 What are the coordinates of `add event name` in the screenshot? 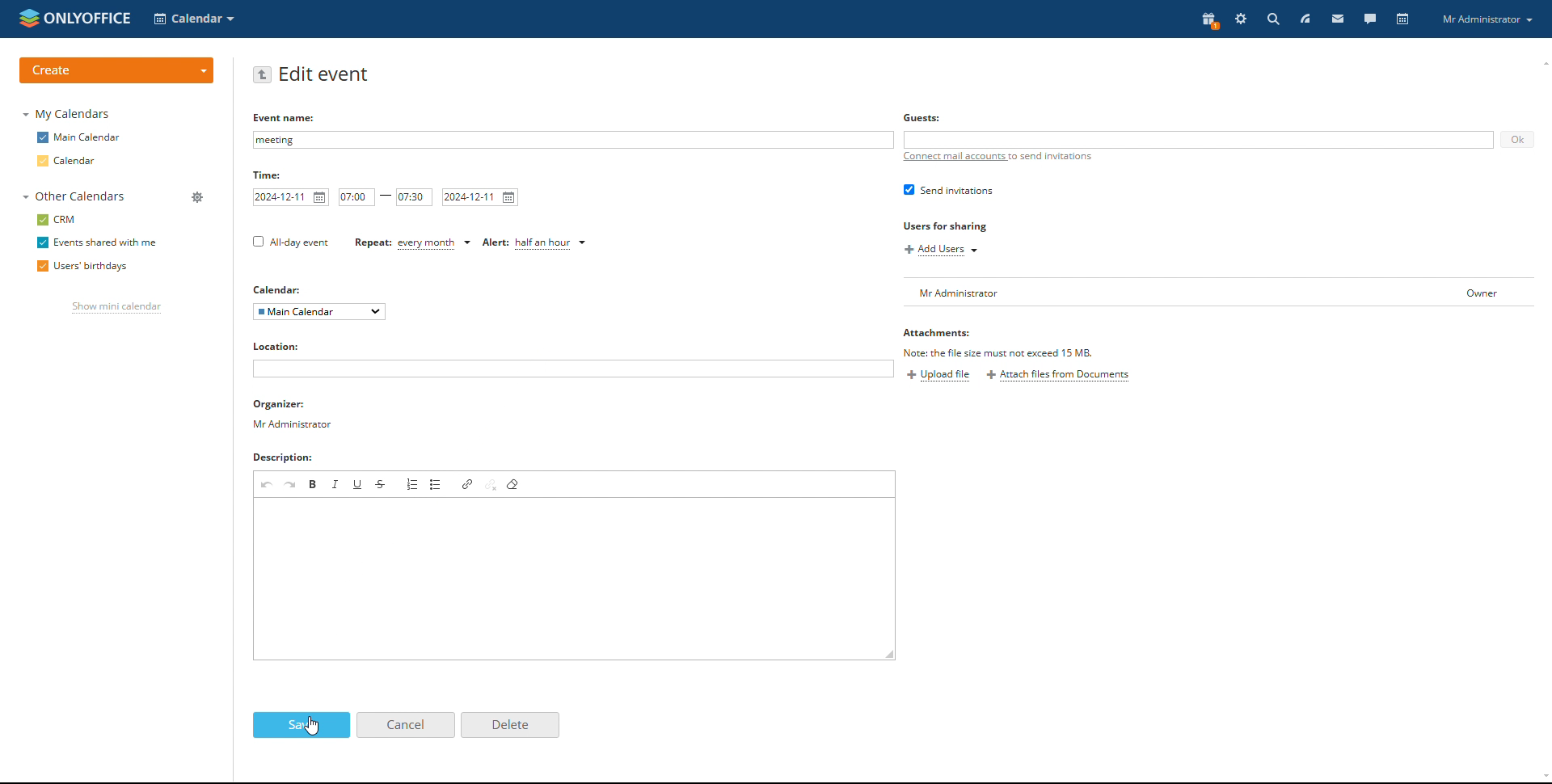 It's located at (573, 141).